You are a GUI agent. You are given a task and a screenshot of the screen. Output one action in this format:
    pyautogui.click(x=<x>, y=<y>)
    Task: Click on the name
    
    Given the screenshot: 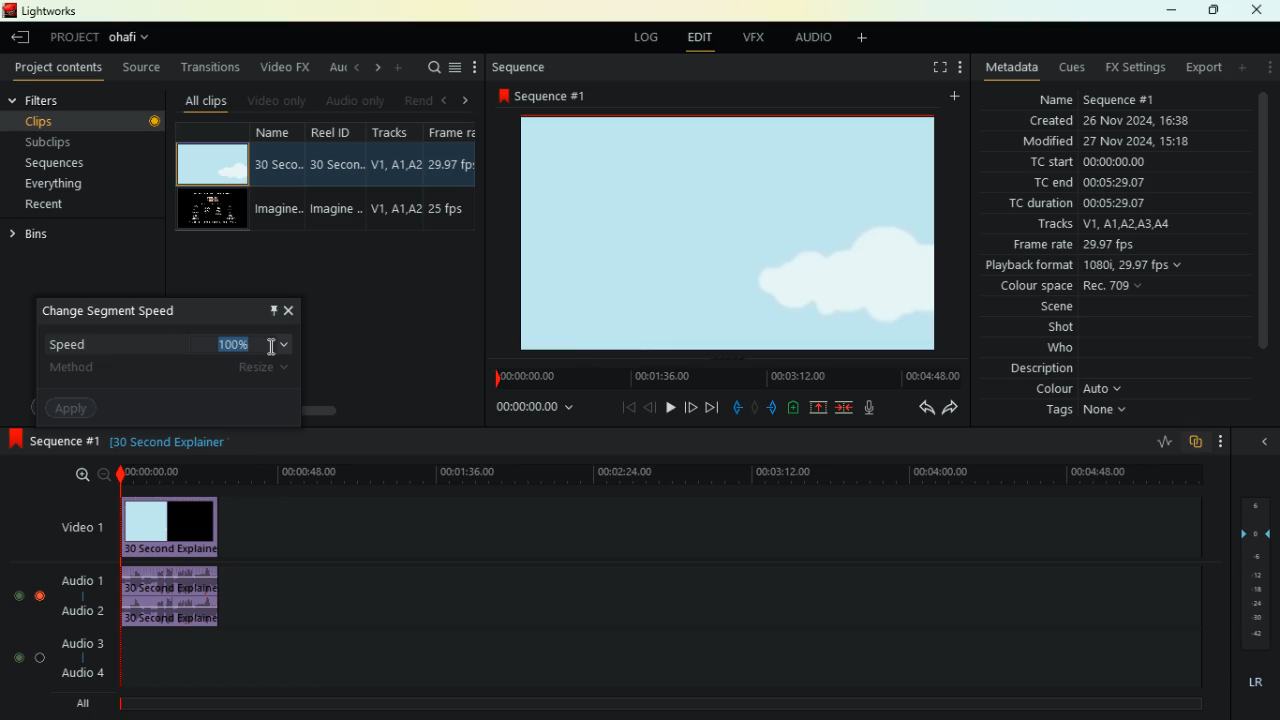 What is the action you would take?
    pyautogui.click(x=282, y=178)
    